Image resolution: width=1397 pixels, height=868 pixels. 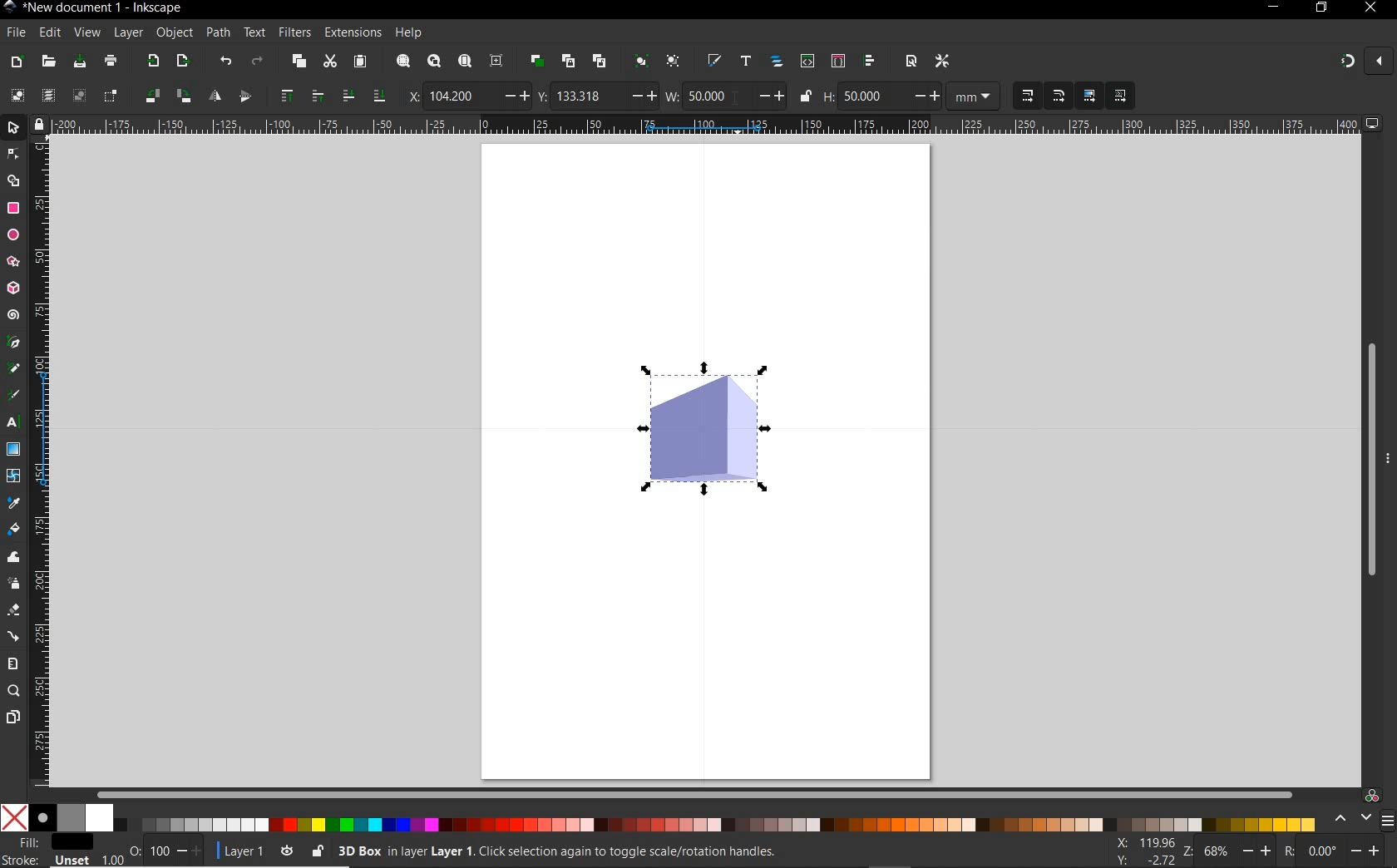 What do you see at coordinates (641, 96) in the screenshot?
I see `increase/decrease` at bounding box center [641, 96].